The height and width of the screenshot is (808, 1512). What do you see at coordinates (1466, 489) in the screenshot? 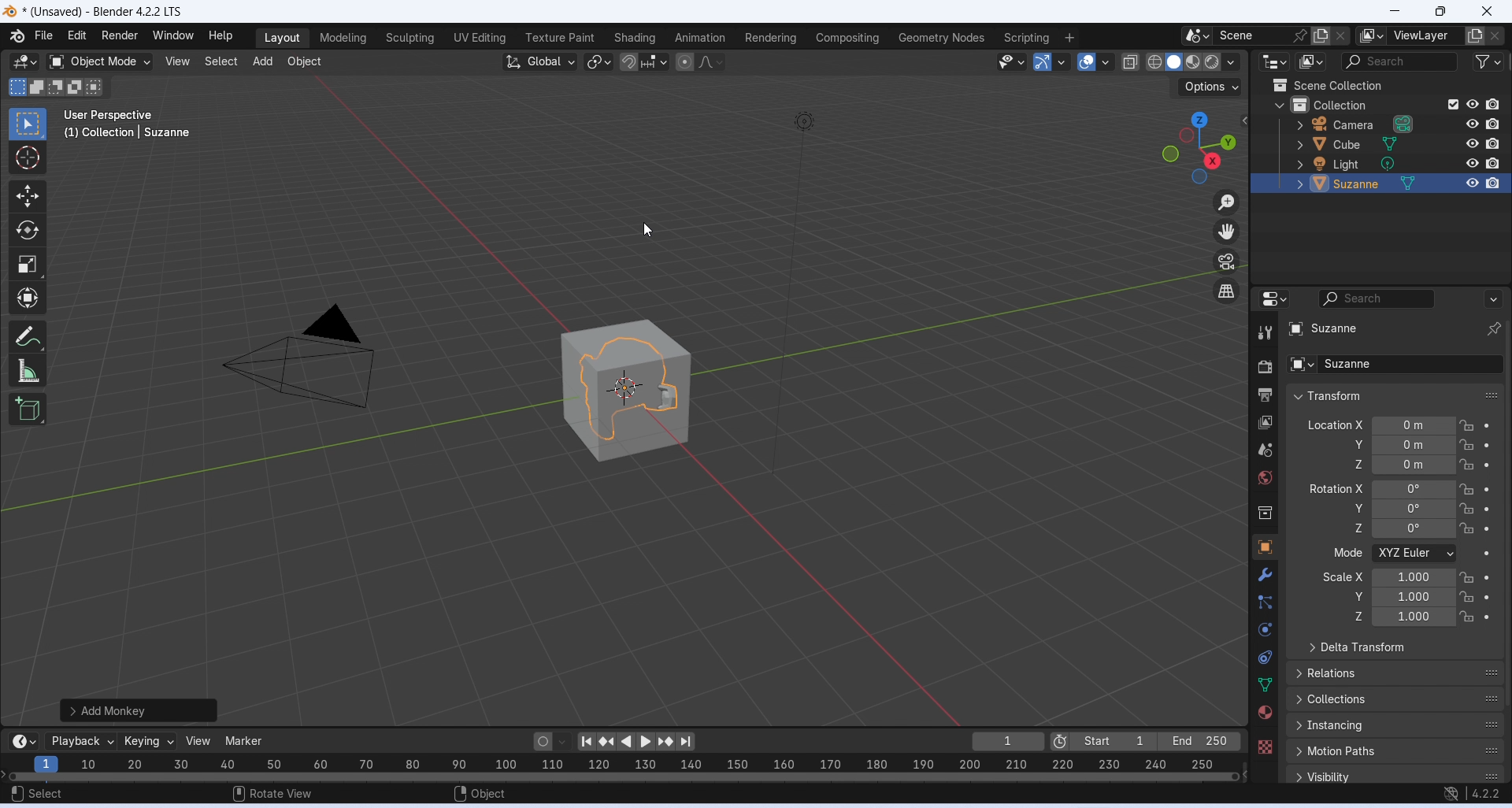
I see `lock location` at bounding box center [1466, 489].